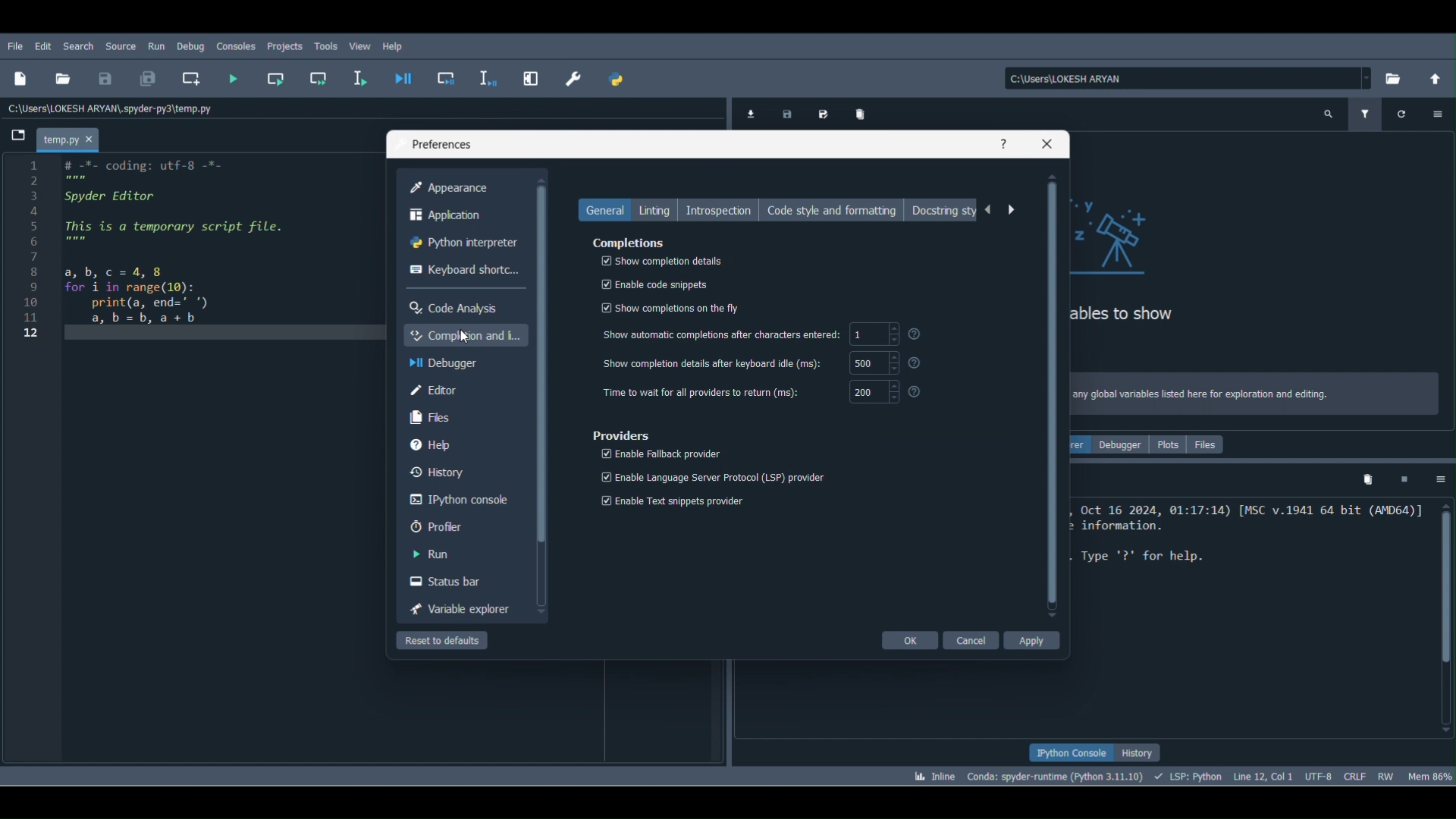 This screenshot has height=819, width=1456. Describe the element at coordinates (991, 211) in the screenshot. I see `Previous` at that location.